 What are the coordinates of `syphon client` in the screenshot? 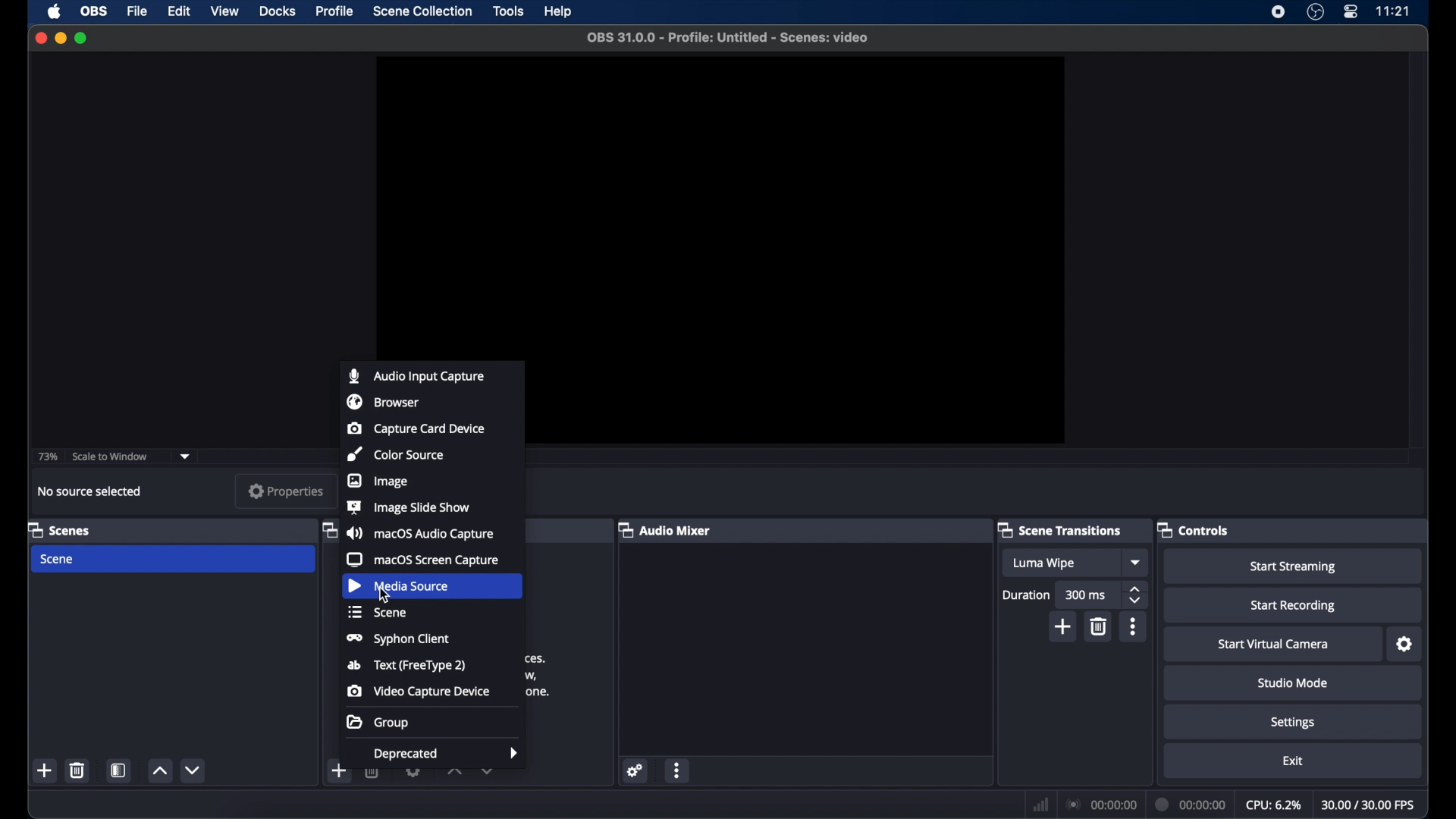 It's located at (395, 639).